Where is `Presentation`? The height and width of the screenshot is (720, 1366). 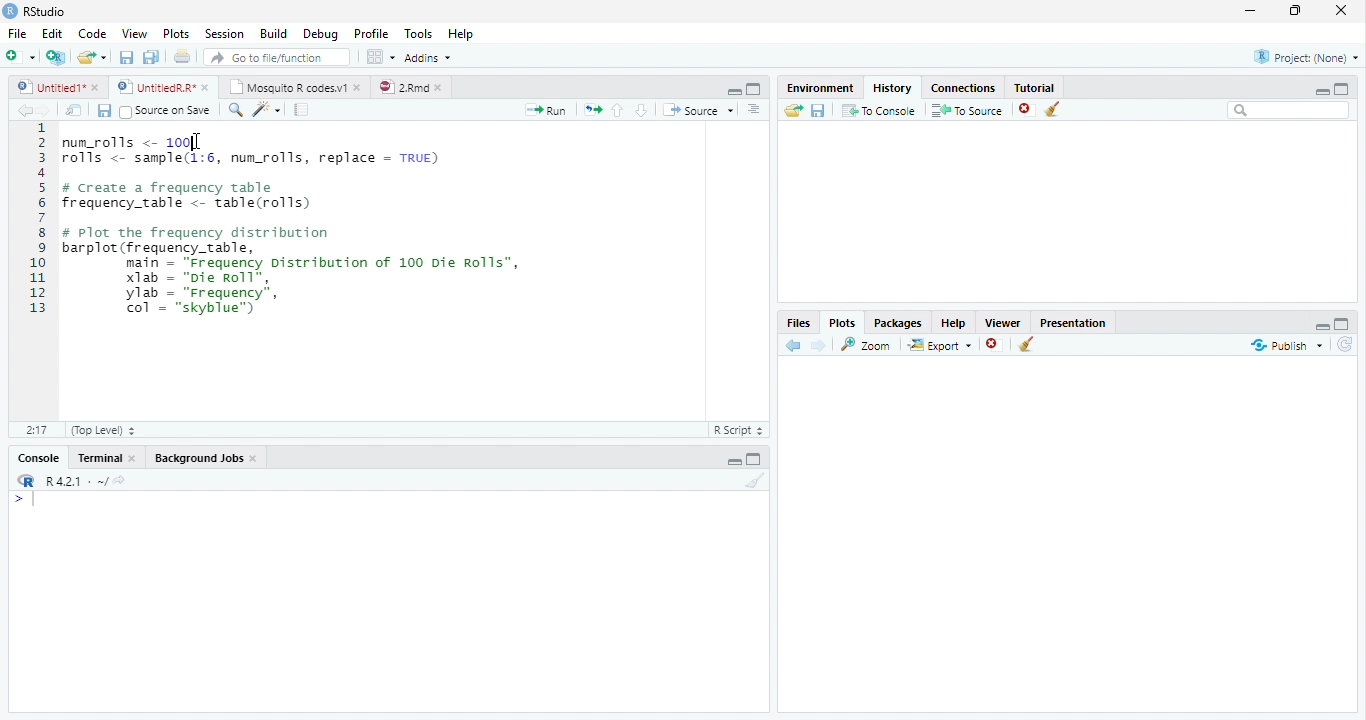 Presentation is located at coordinates (1073, 322).